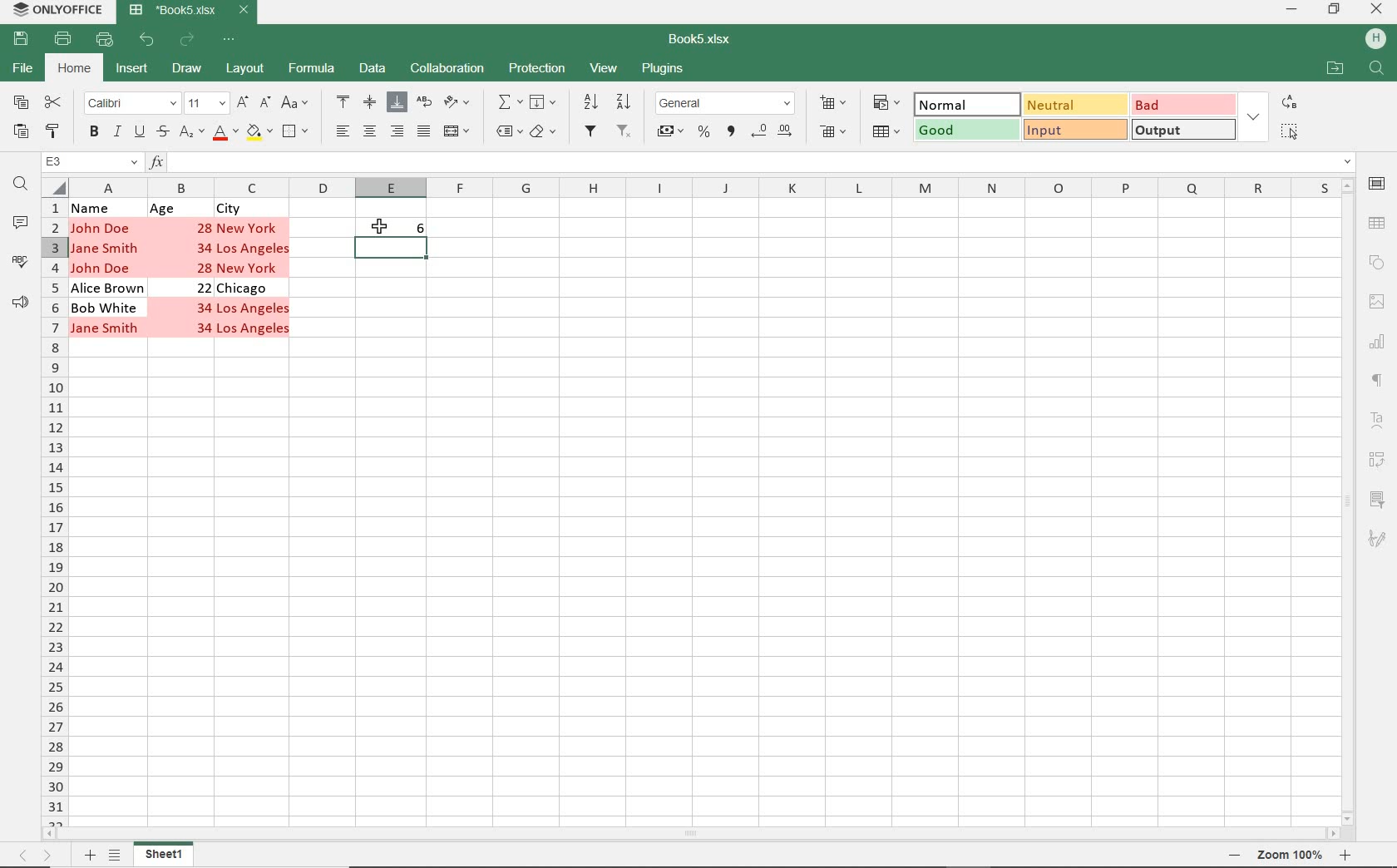  What do you see at coordinates (201, 309) in the screenshot?
I see `34` at bounding box center [201, 309].